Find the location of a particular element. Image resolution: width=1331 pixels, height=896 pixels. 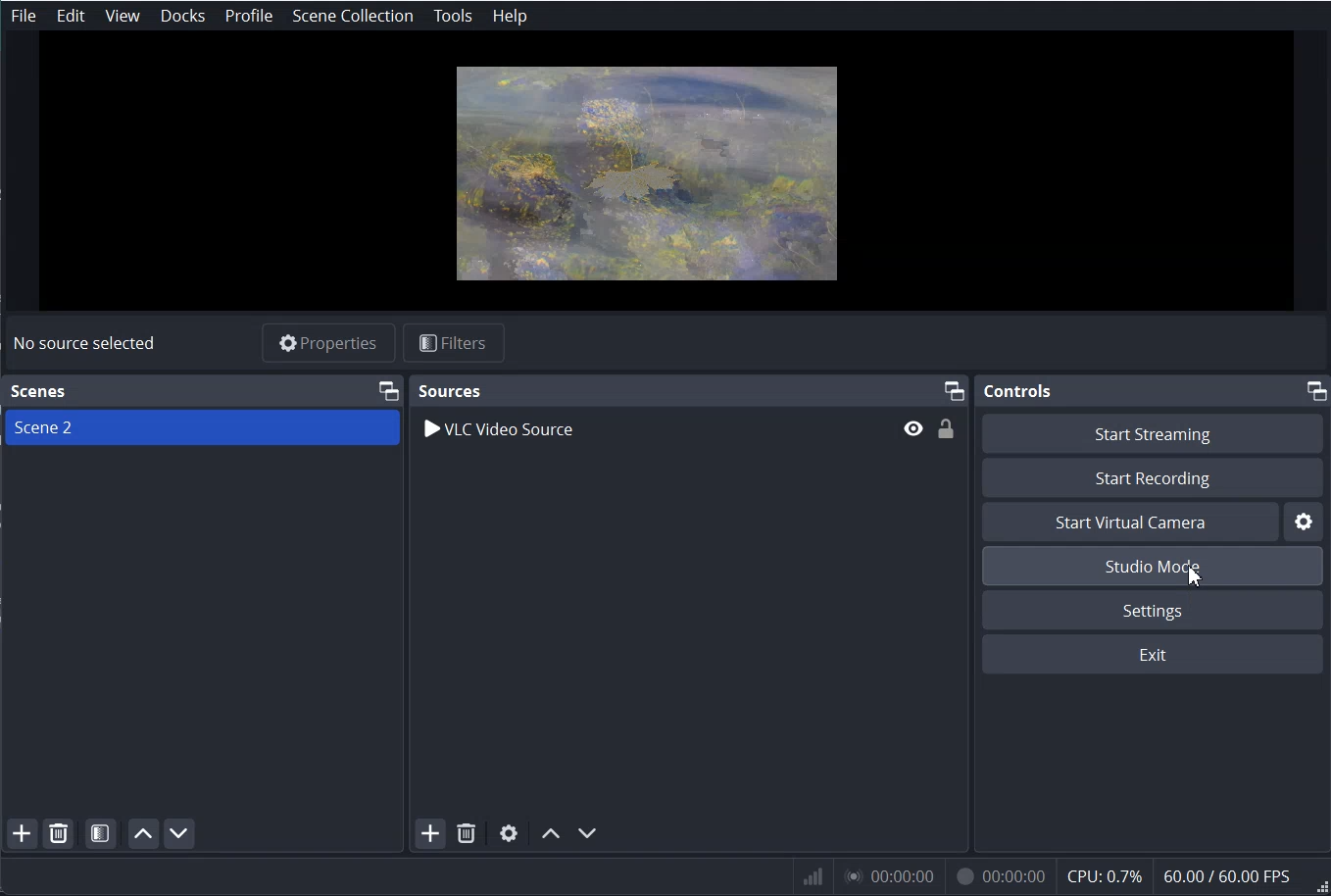

Maximize is located at coordinates (1316, 392).